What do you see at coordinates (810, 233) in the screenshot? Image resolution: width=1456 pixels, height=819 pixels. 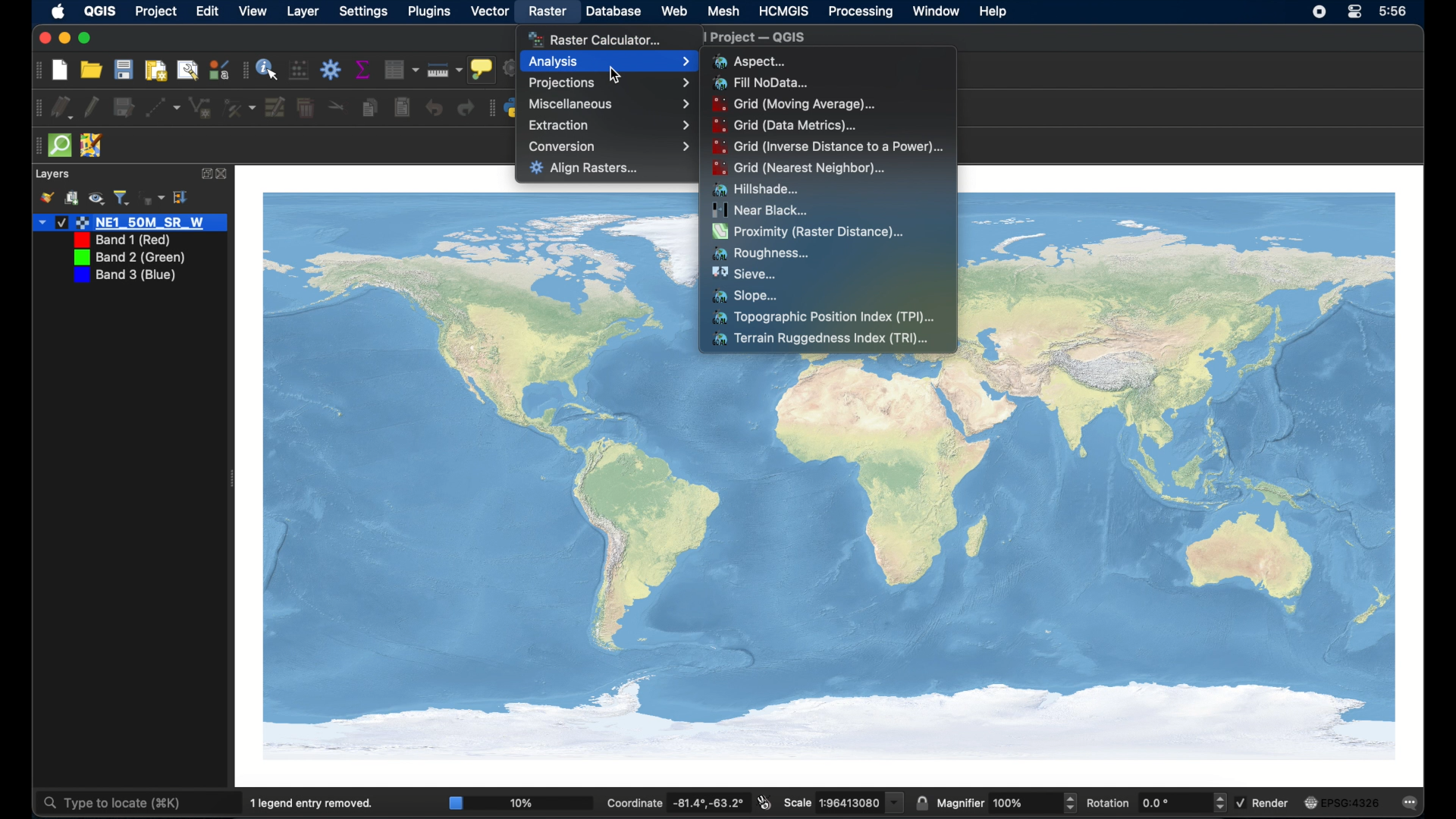 I see `proximity (raster distance)` at bounding box center [810, 233].